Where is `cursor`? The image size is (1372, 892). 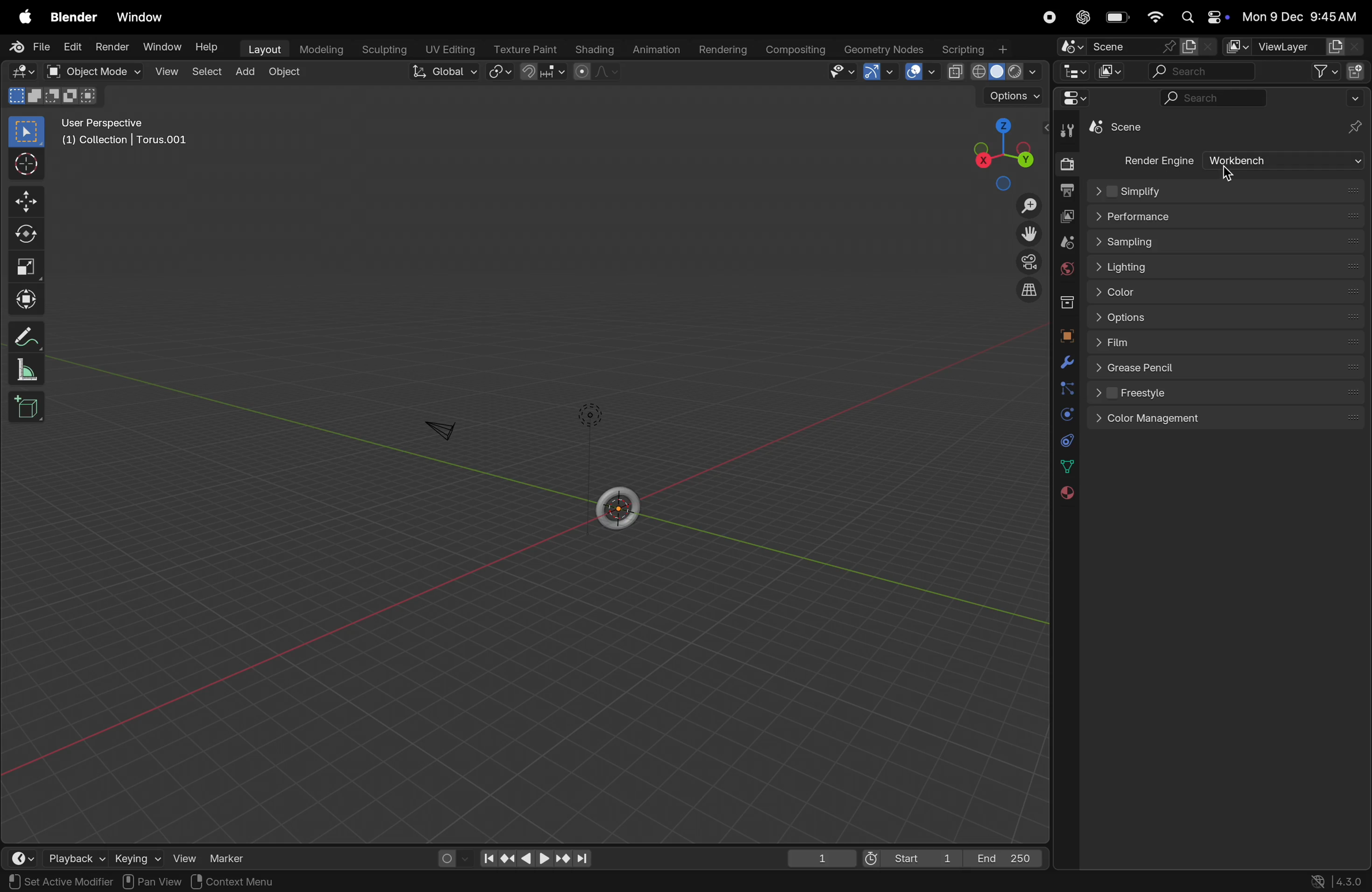
cursor is located at coordinates (28, 165).